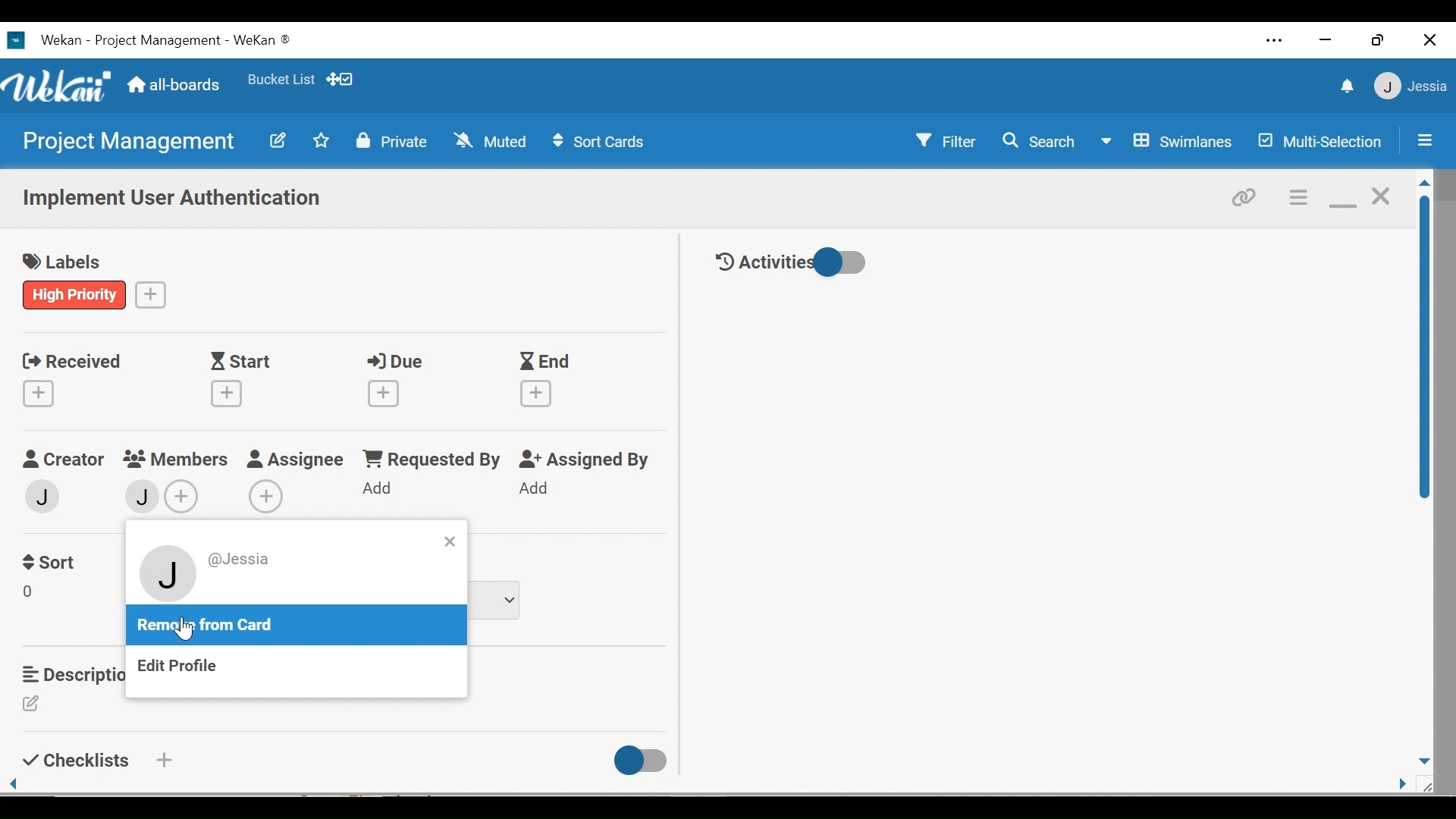 Image resolution: width=1456 pixels, height=819 pixels. Describe the element at coordinates (1376, 41) in the screenshot. I see `Restore` at that location.